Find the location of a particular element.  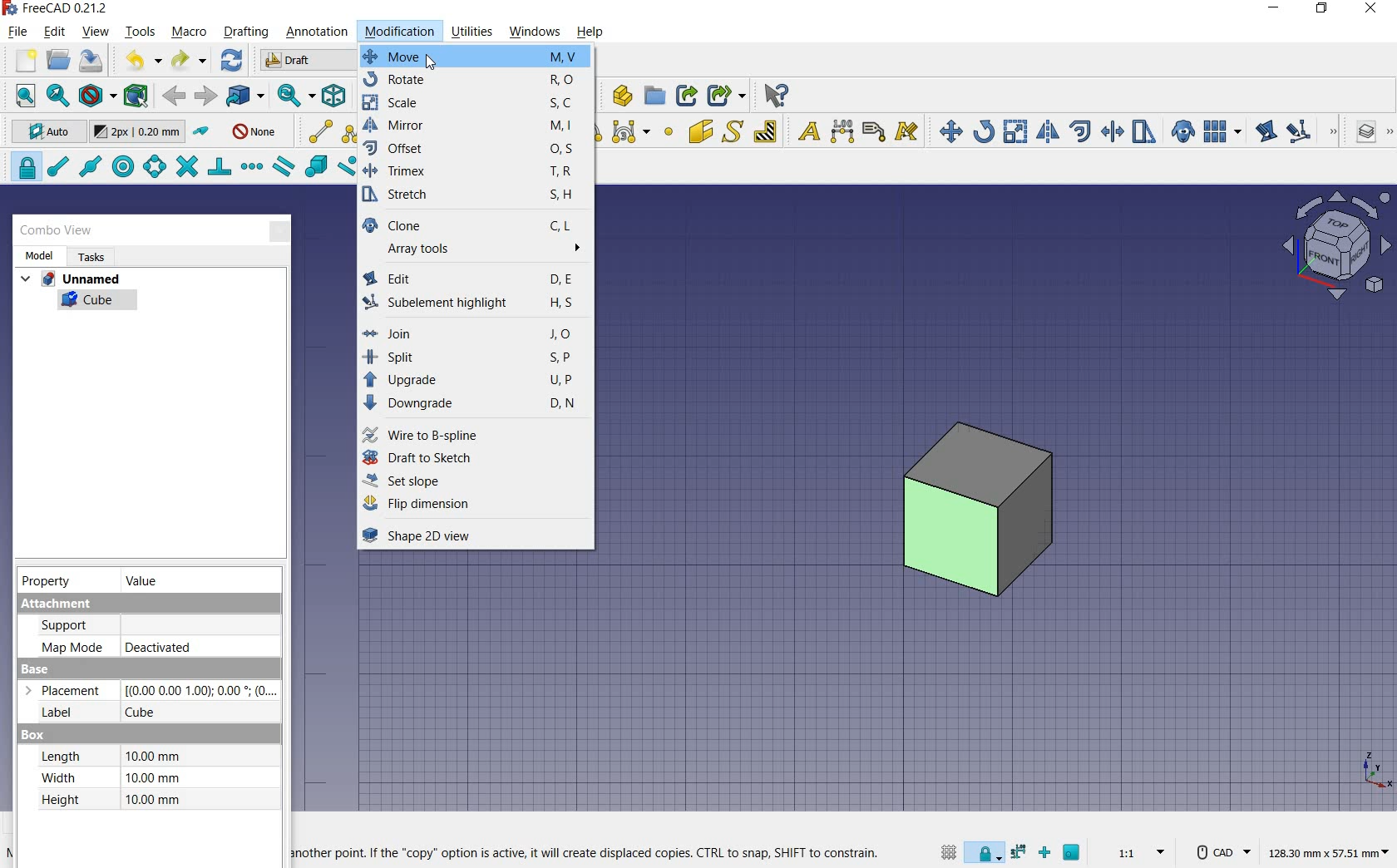

join is located at coordinates (473, 333).